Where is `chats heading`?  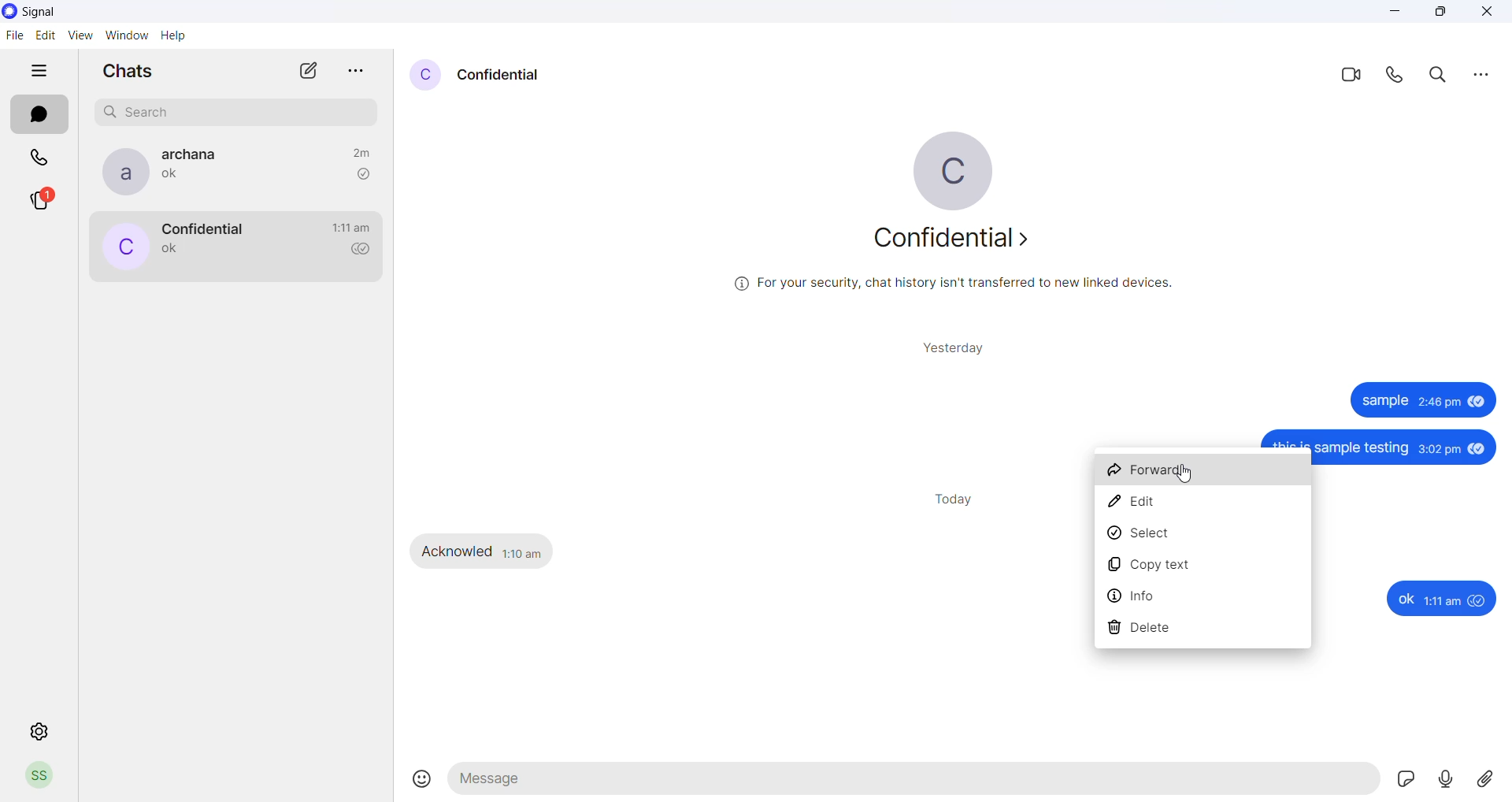 chats heading is located at coordinates (127, 74).